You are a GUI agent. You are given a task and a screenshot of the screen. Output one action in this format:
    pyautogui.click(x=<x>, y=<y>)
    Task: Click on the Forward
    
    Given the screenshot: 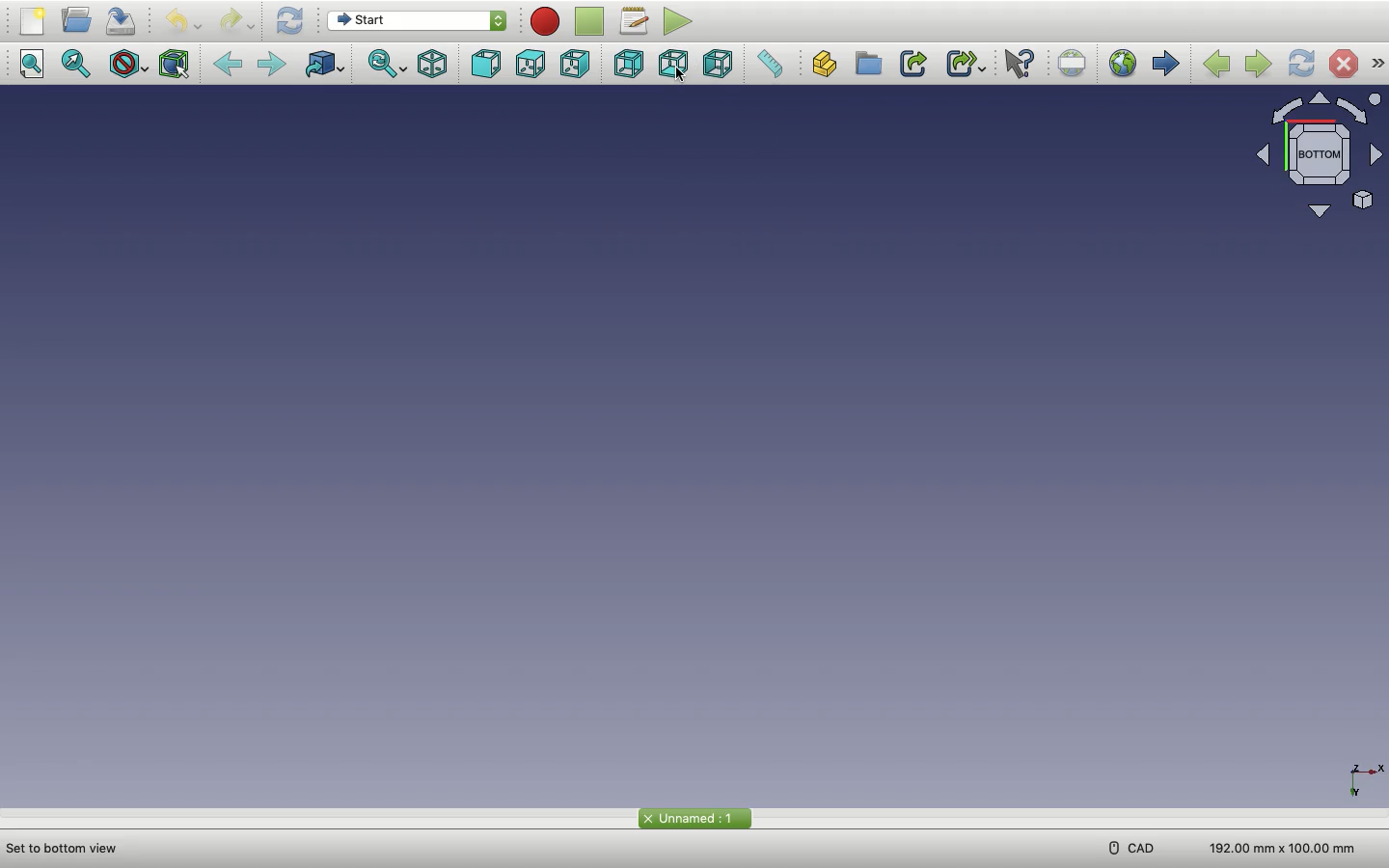 What is the action you would take?
    pyautogui.click(x=278, y=66)
    